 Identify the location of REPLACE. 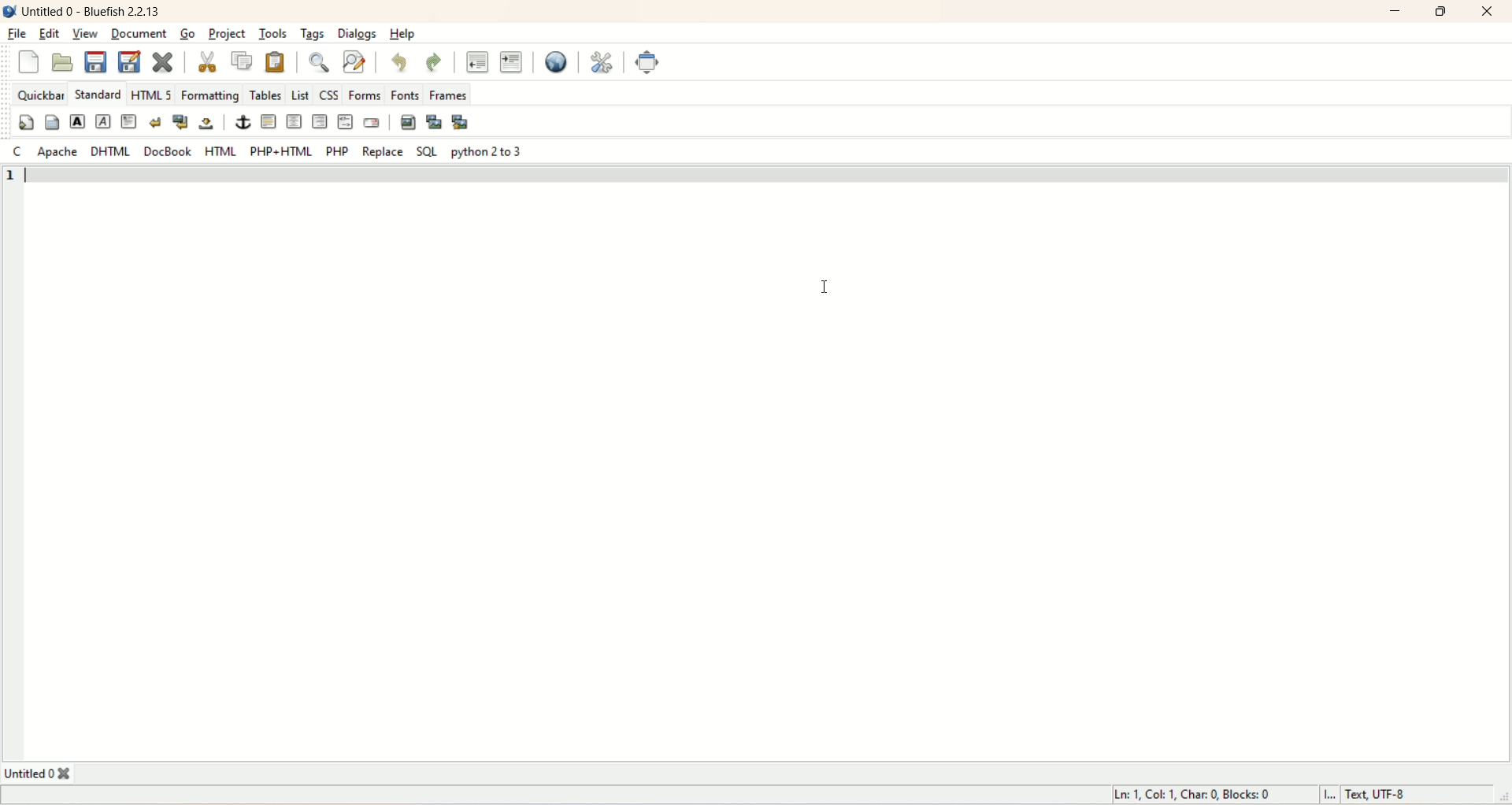
(384, 151).